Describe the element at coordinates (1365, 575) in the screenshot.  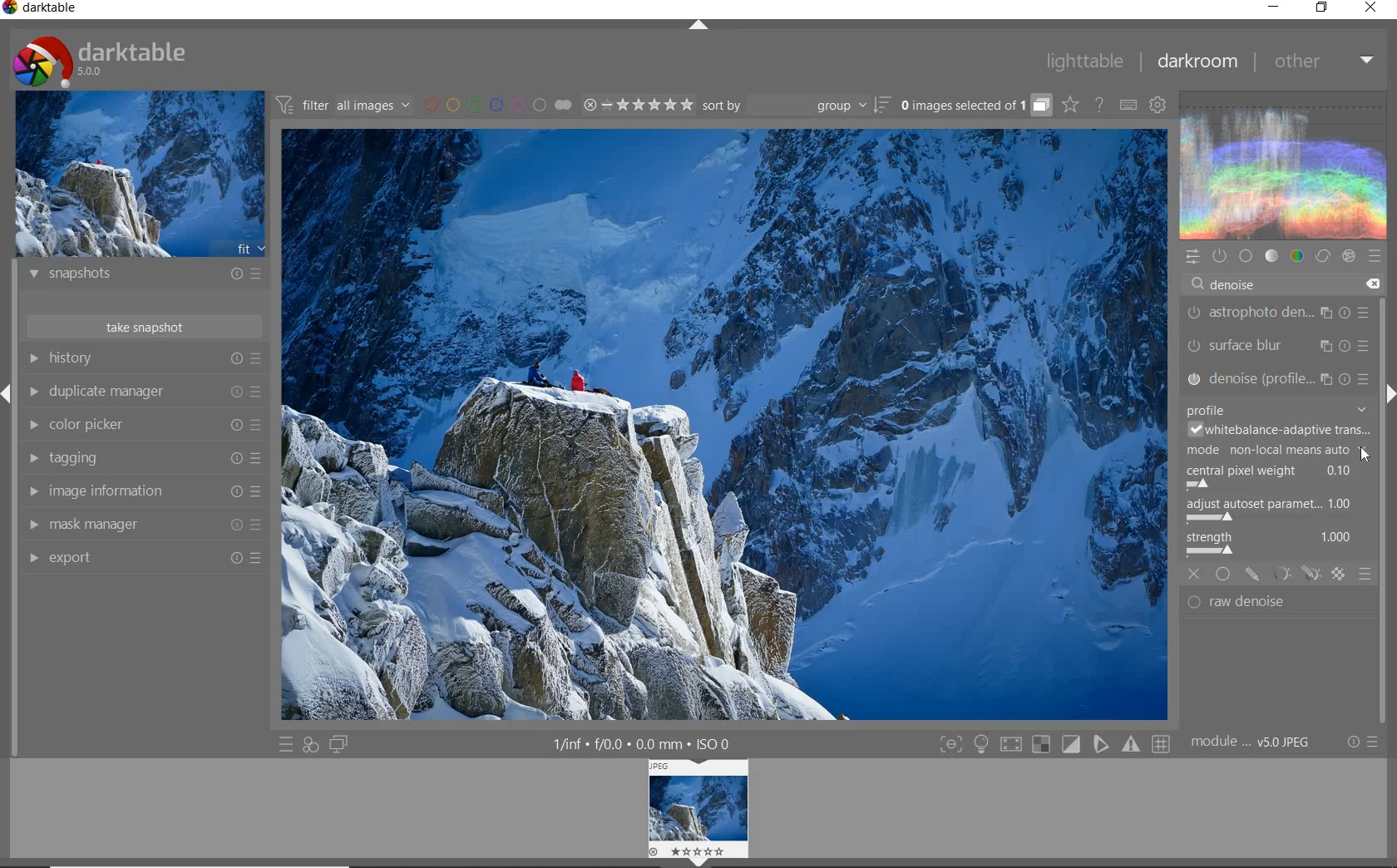
I see `BLENDING OPTIONS` at that location.